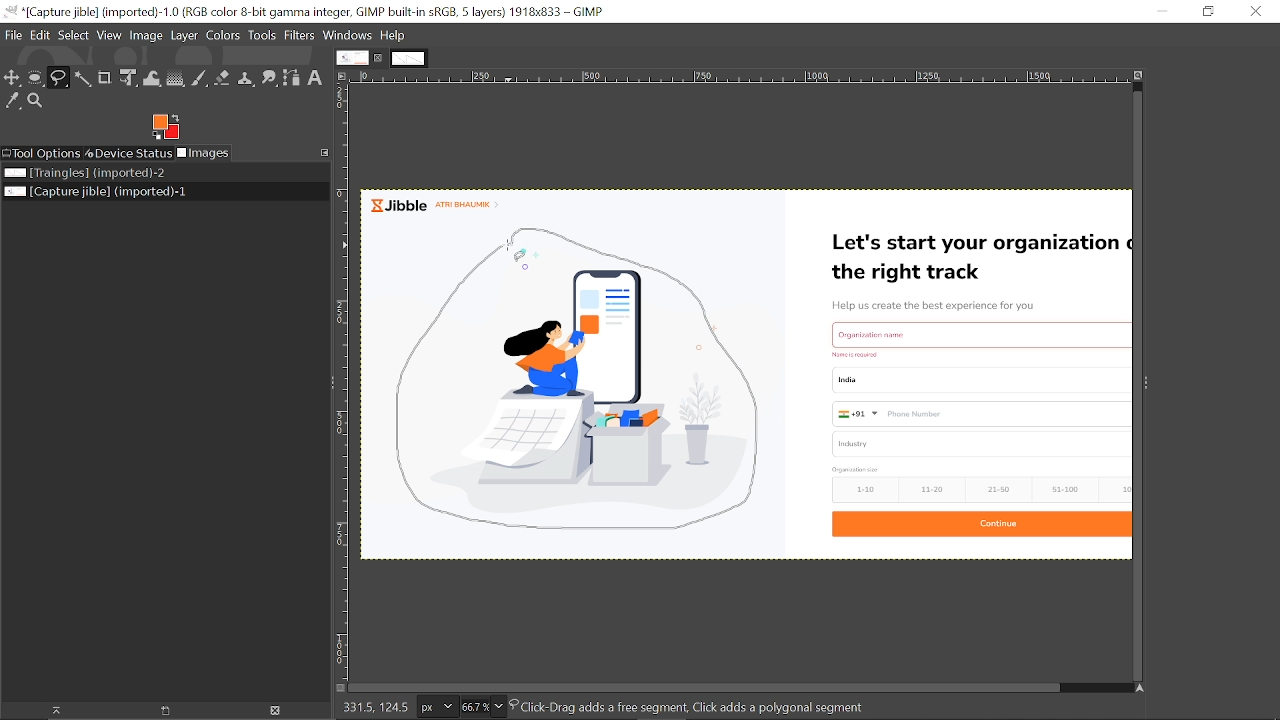  What do you see at coordinates (473, 707) in the screenshot?
I see `Current zoom` at bounding box center [473, 707].